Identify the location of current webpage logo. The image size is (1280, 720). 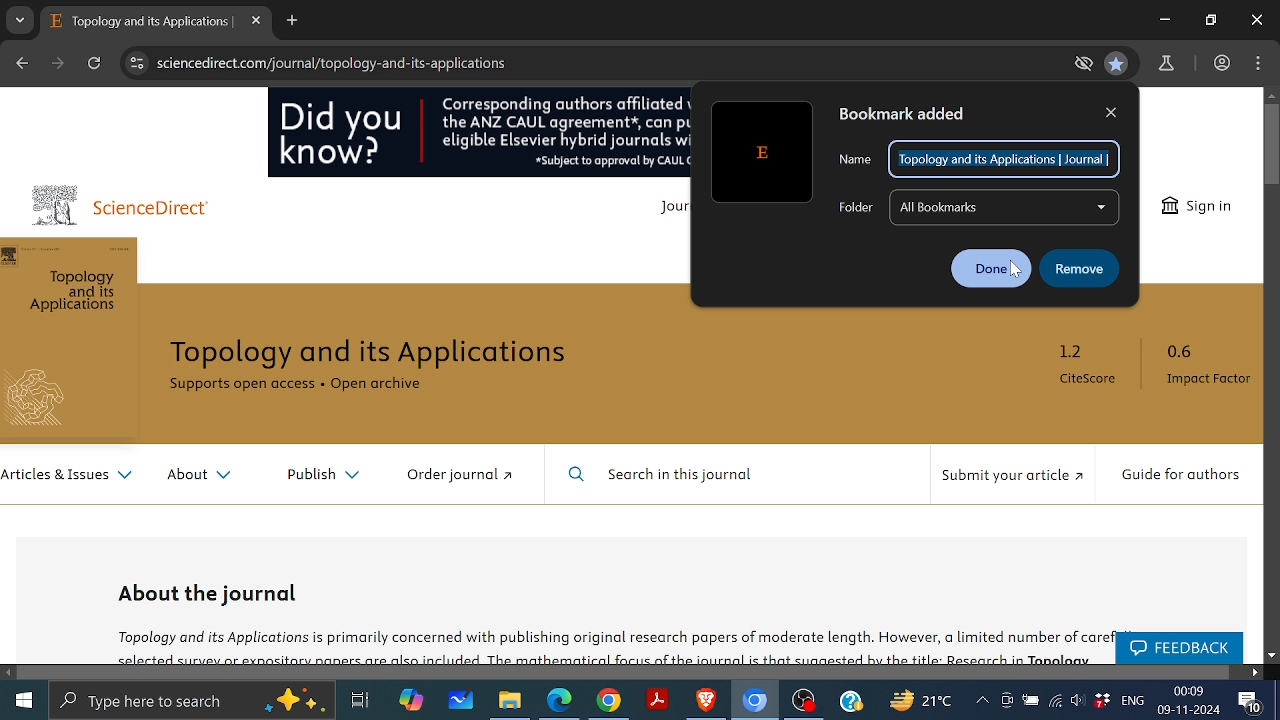
(759, 149).